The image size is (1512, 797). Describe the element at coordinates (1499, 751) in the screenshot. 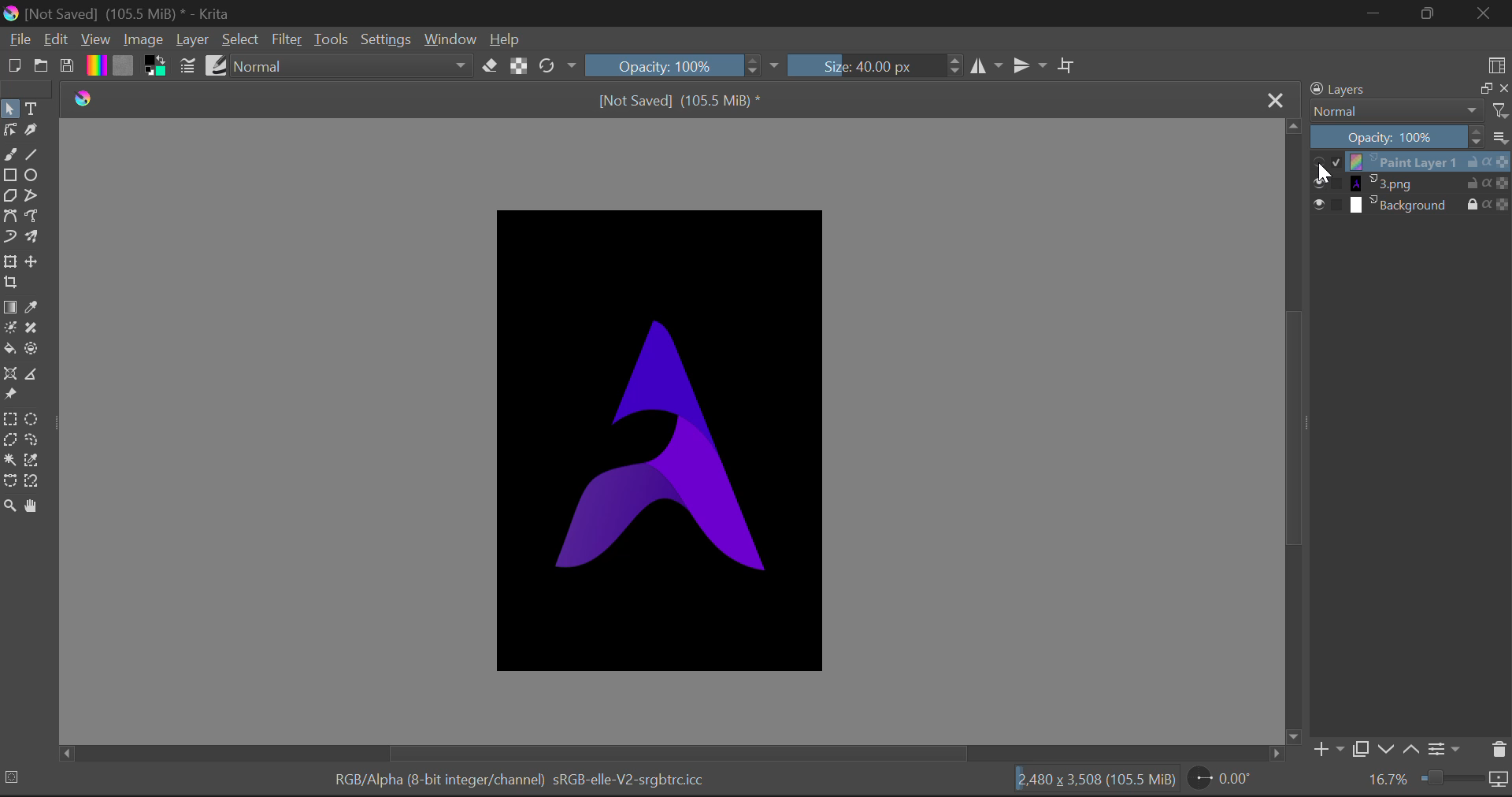

I see `Delete Layer` at that location.